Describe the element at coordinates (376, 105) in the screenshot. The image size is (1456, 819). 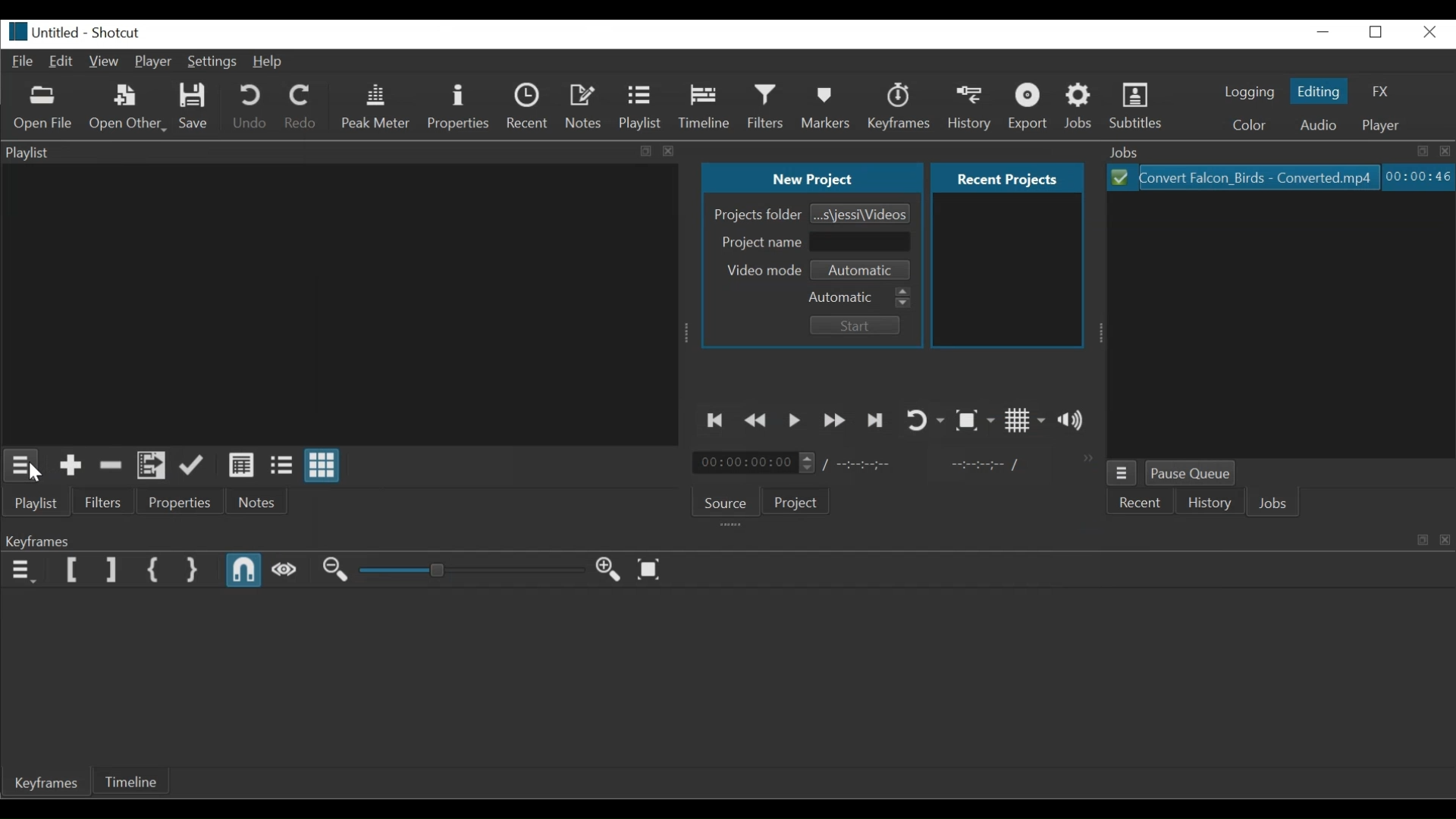
I see `Peak Meter` at that location.